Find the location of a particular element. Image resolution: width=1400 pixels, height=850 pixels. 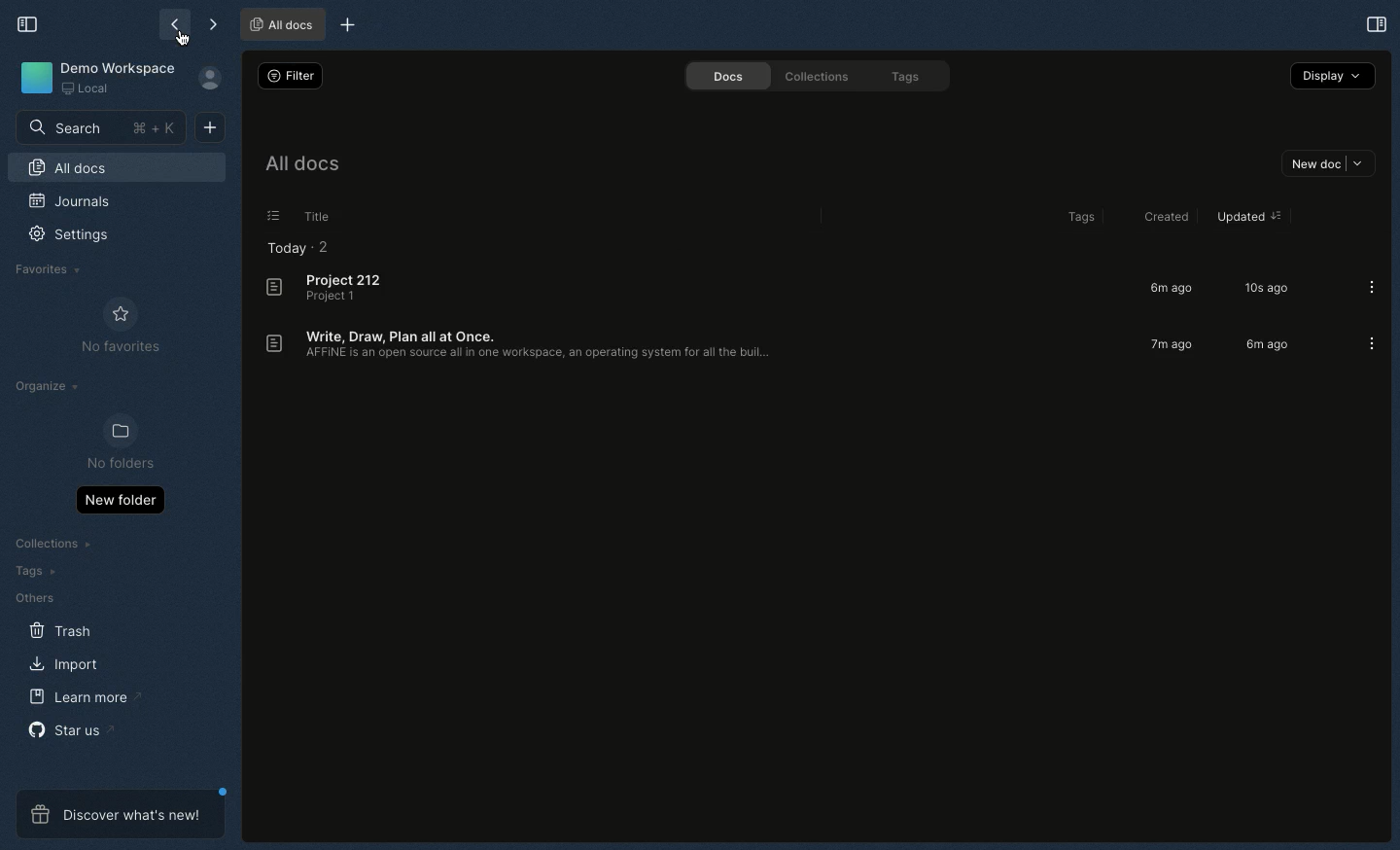

New doc is located at coordinates (214, 130).